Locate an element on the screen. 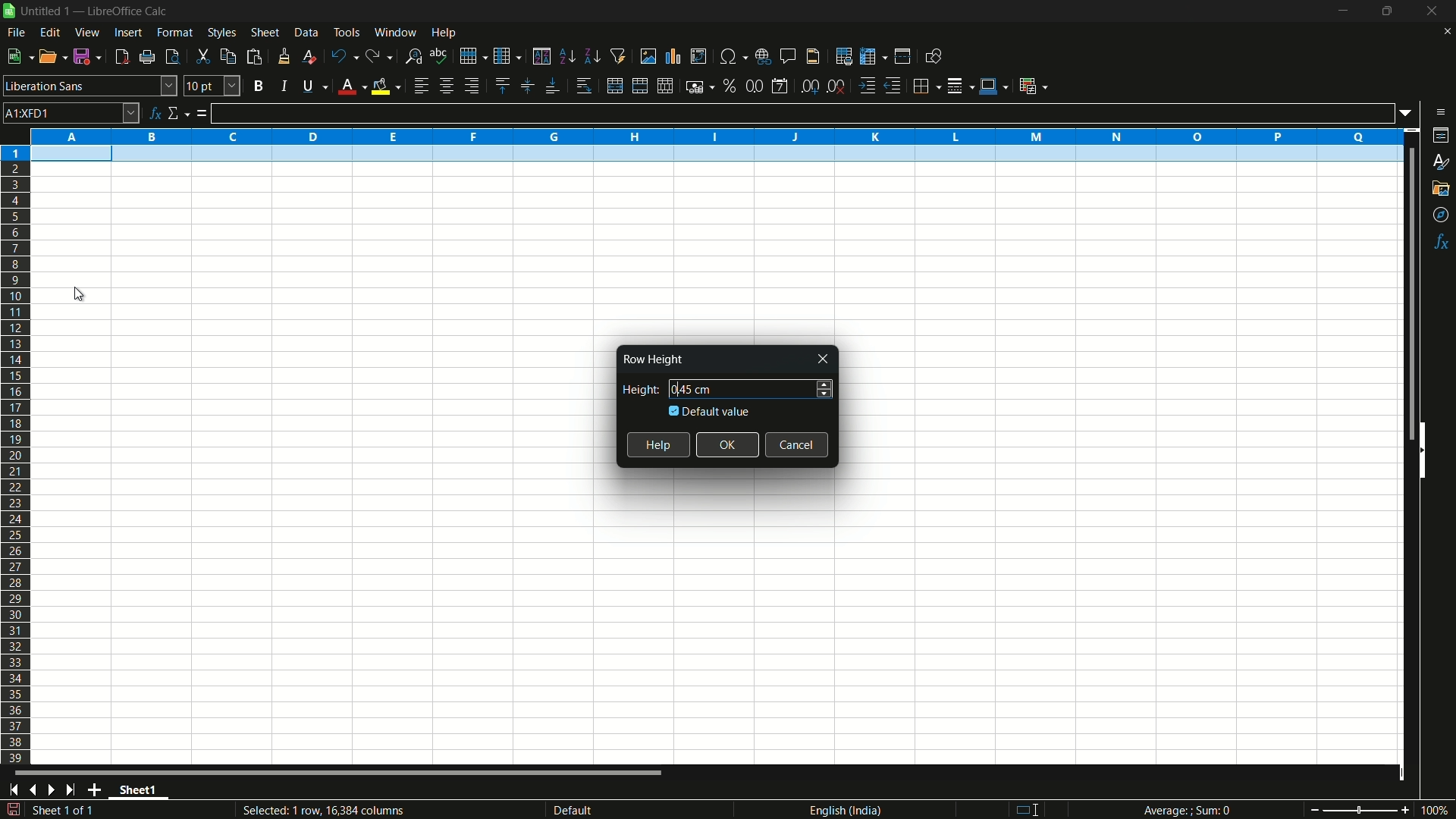 The height and width of the screenshot is (819, 1456). sheet menu is located at coordinates (265, 33).